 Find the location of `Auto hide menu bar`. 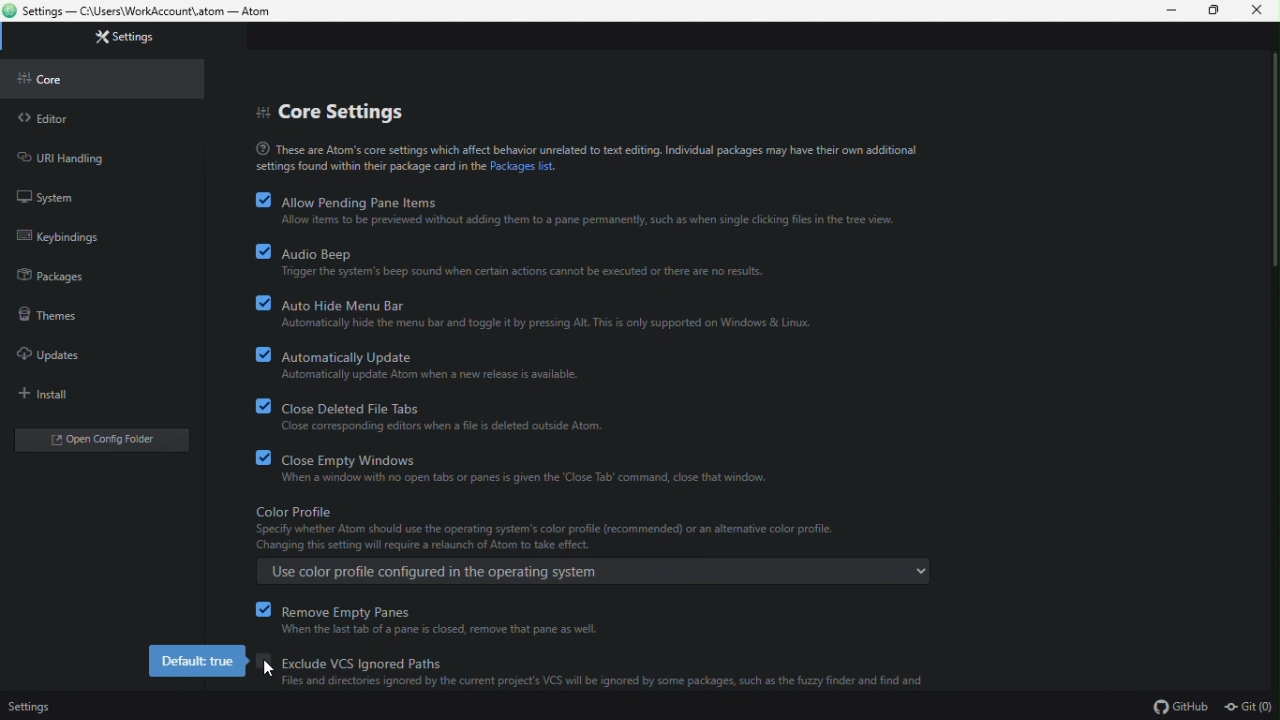

Auto hide menu bar is located at coordinates (599, 314).